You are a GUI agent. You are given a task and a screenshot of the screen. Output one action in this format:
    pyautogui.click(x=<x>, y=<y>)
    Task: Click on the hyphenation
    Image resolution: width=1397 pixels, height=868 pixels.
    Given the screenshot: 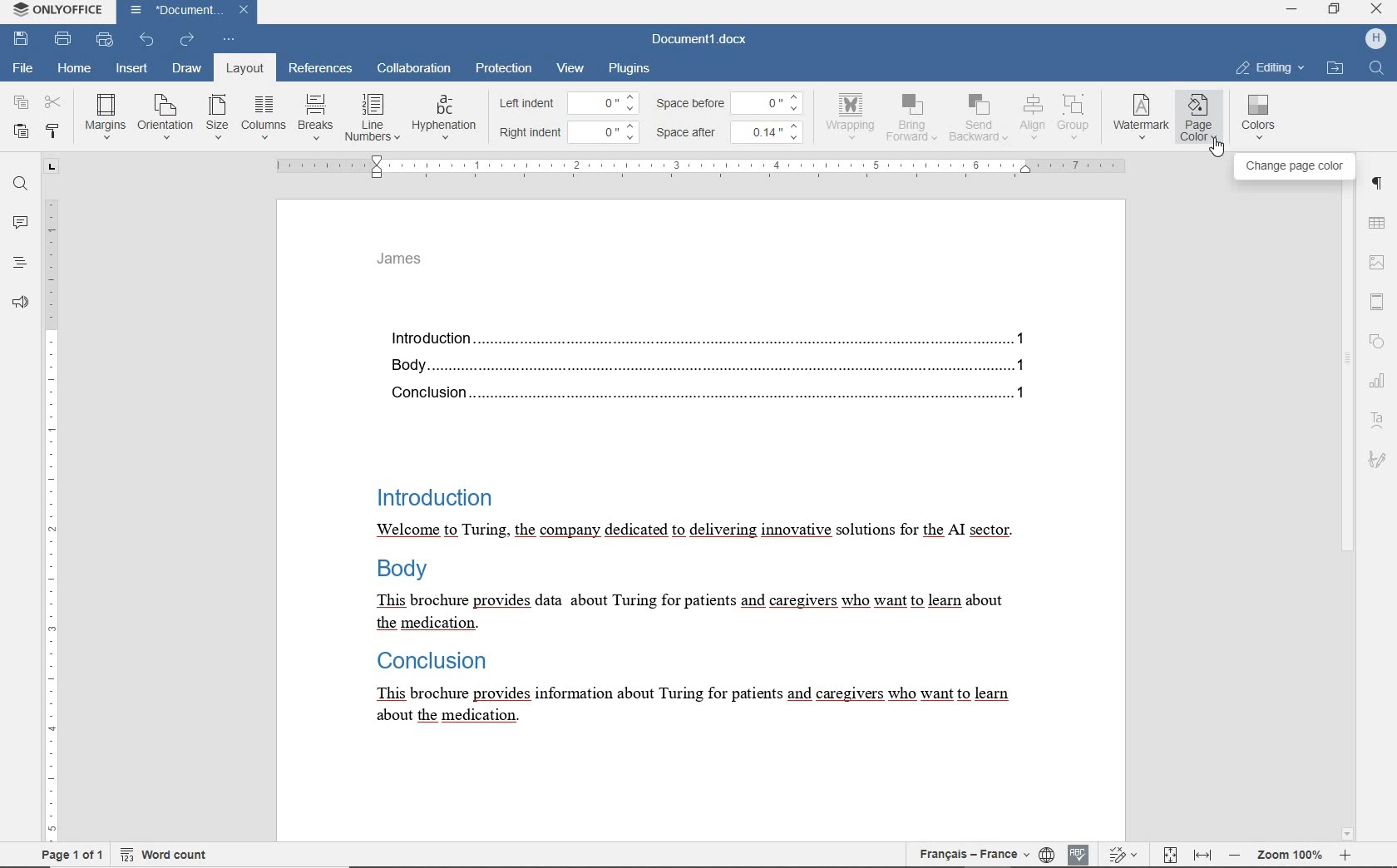 What is the action you would take?
    pyautogui.click(x=447, y=123)
    